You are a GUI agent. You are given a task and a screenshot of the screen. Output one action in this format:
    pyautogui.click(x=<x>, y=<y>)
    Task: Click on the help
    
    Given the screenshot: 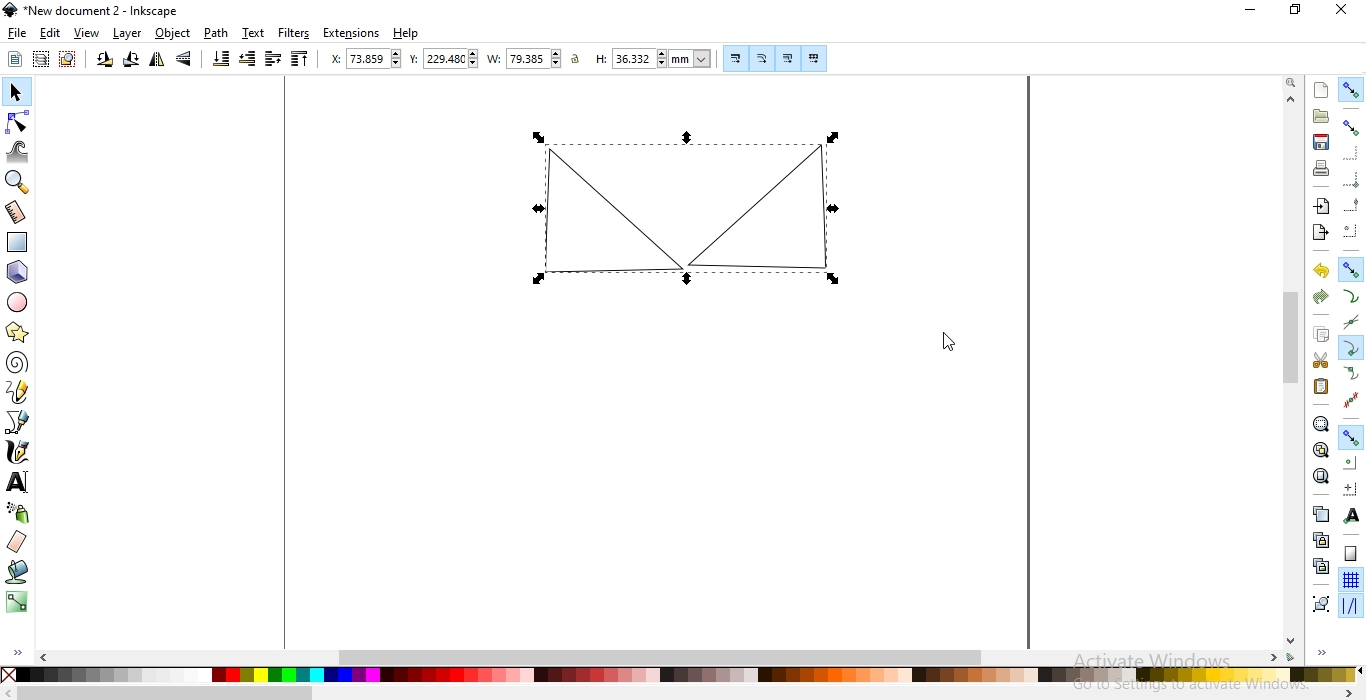 What is the action you would take?
    pyautogui.click(x=406, y=34)
    